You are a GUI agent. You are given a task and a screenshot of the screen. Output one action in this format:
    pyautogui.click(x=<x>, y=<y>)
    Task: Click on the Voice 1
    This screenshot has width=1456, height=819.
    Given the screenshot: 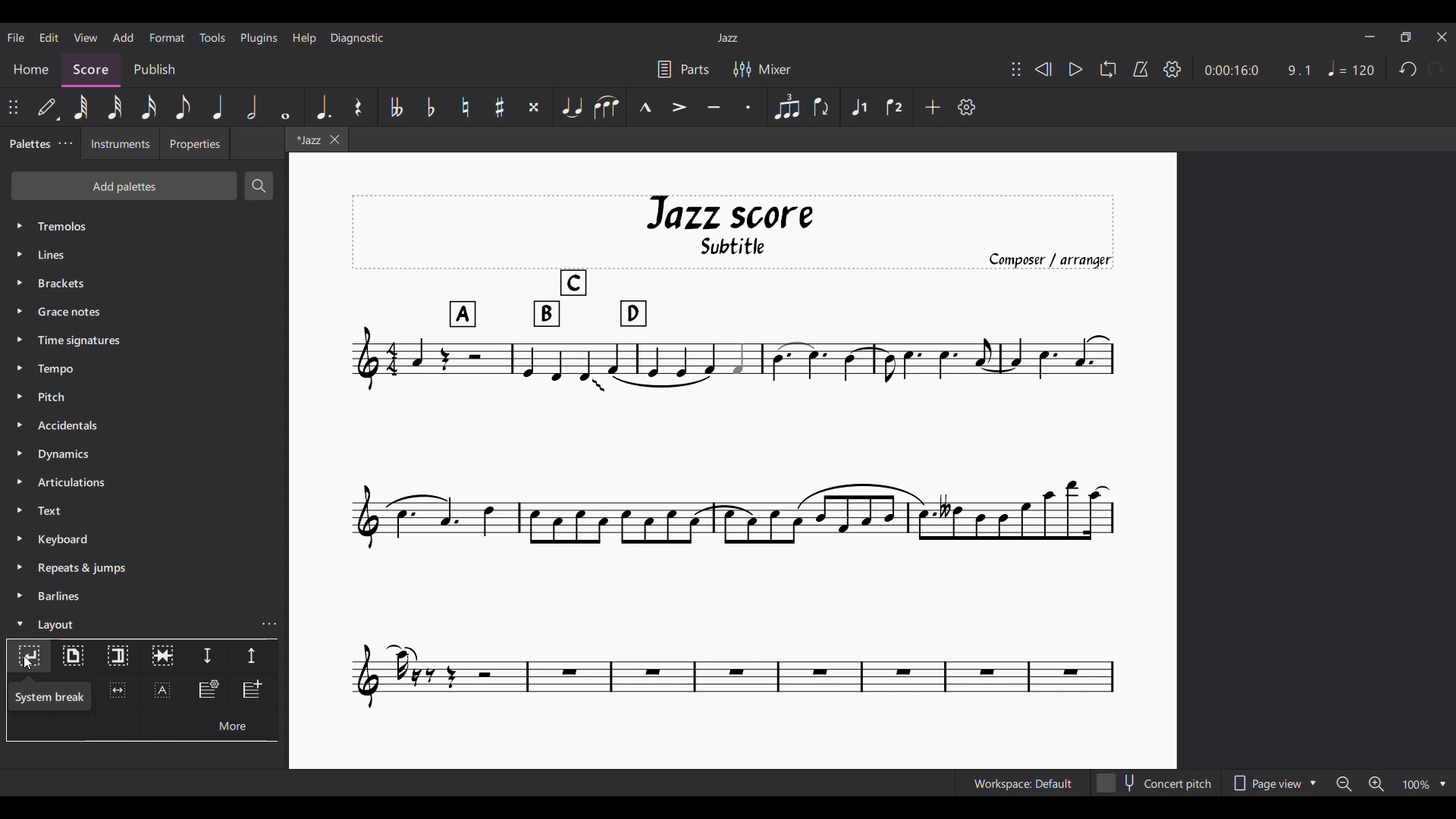 What is the action you would take?
    pyautogui.click(x=858, y=107)
    